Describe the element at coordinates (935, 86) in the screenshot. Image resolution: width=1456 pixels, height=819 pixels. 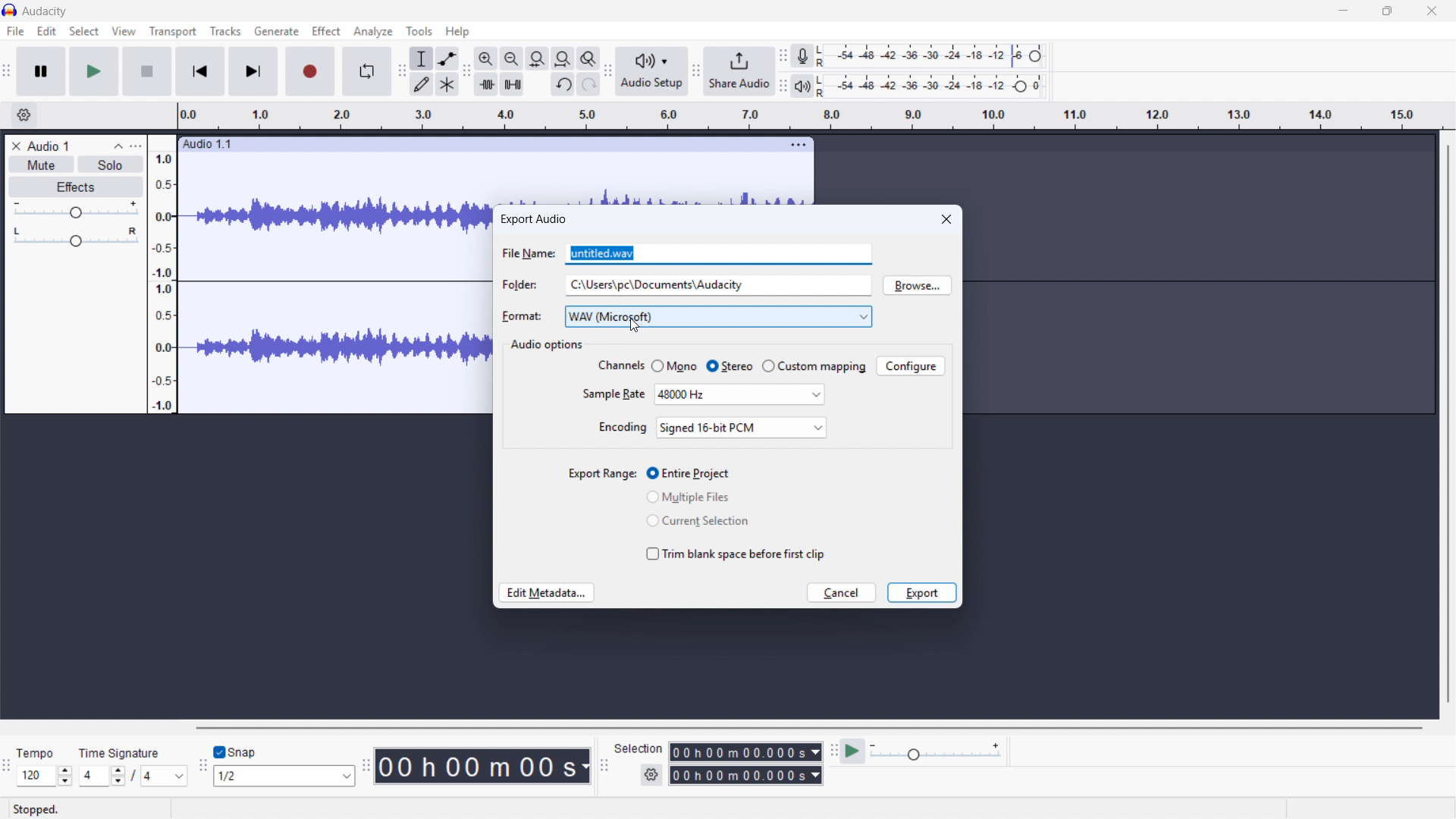
I see `playback level ` at that location.